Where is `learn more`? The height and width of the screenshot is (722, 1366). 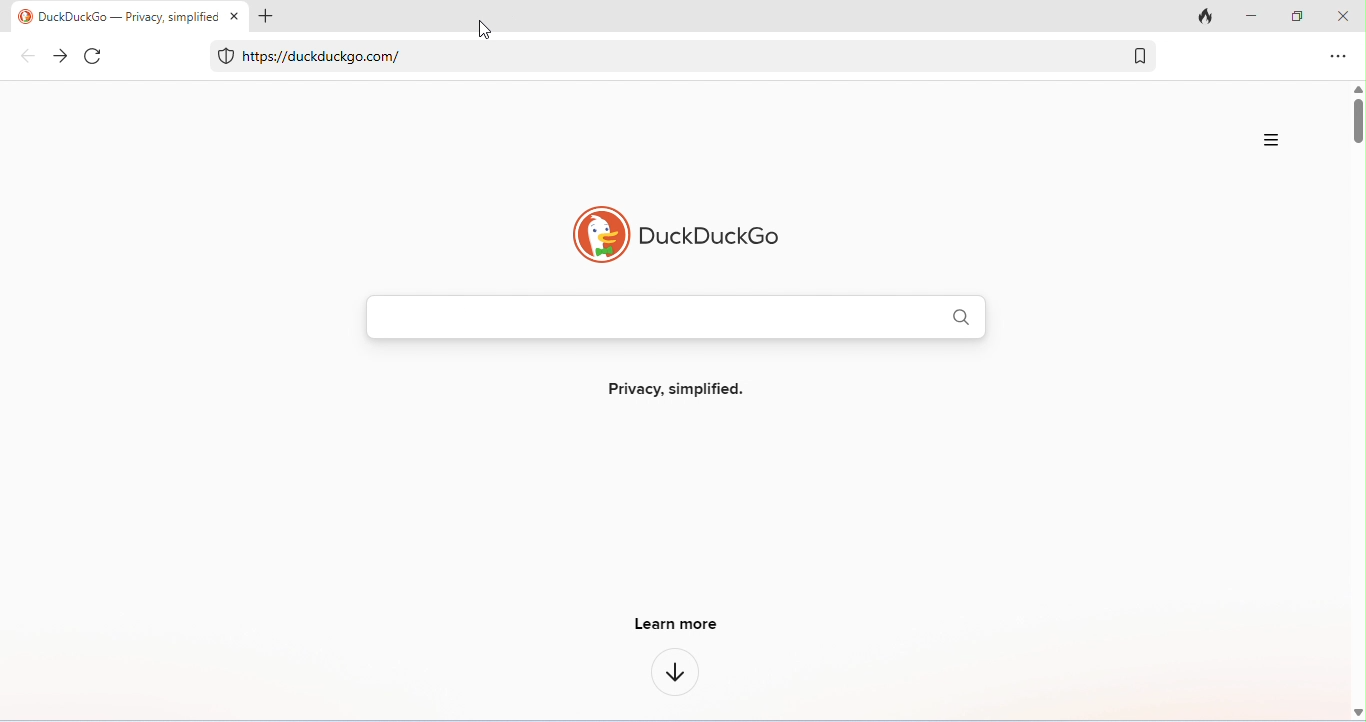
learn more is located at coordinates (674, 623).